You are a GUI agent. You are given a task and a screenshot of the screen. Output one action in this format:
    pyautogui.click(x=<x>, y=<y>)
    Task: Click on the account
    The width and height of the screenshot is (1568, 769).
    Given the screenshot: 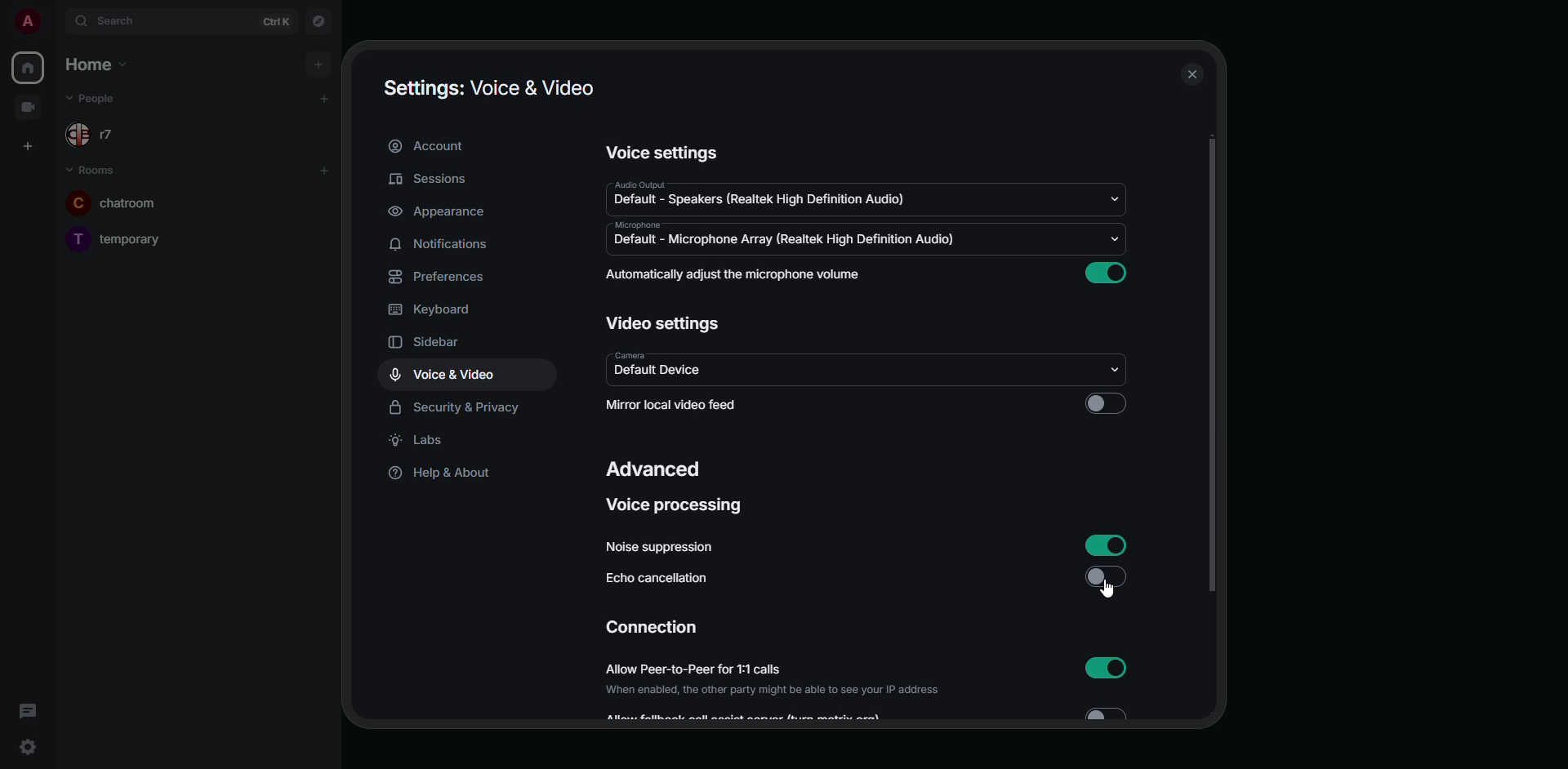 What is the action you would take?
    pyautogui.click(x=434, y=147)
    